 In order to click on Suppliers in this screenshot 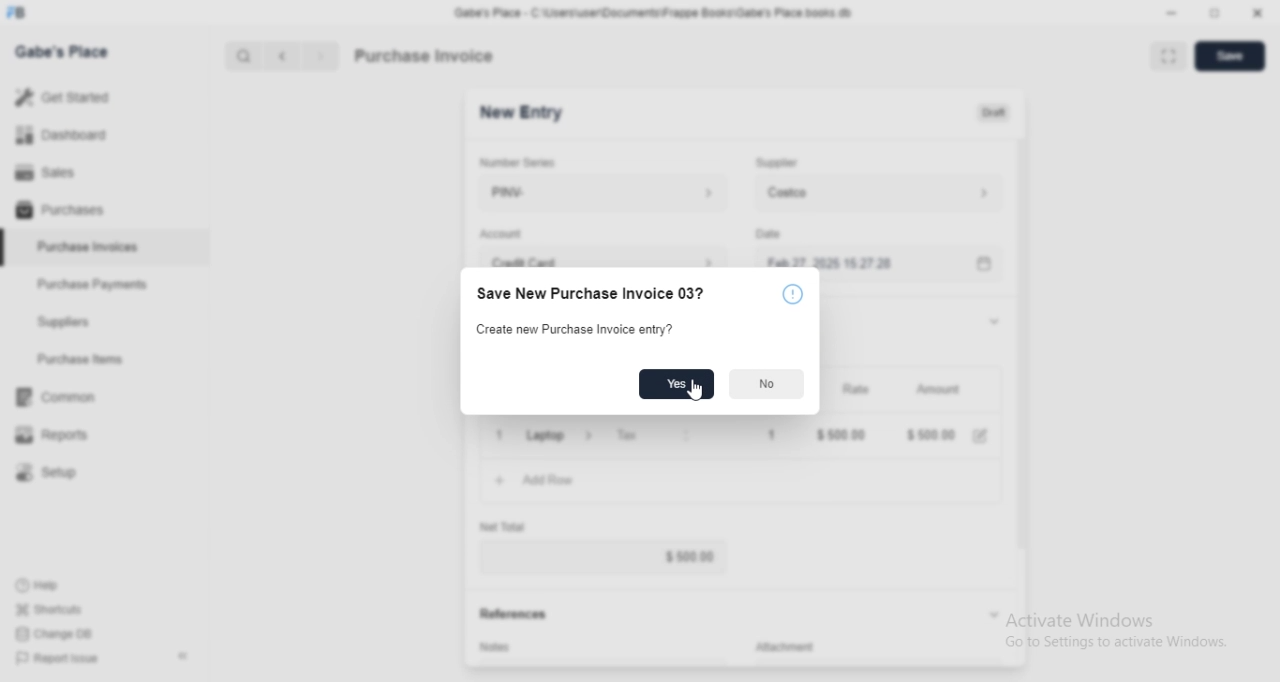, I will do `click(104, 321)`.